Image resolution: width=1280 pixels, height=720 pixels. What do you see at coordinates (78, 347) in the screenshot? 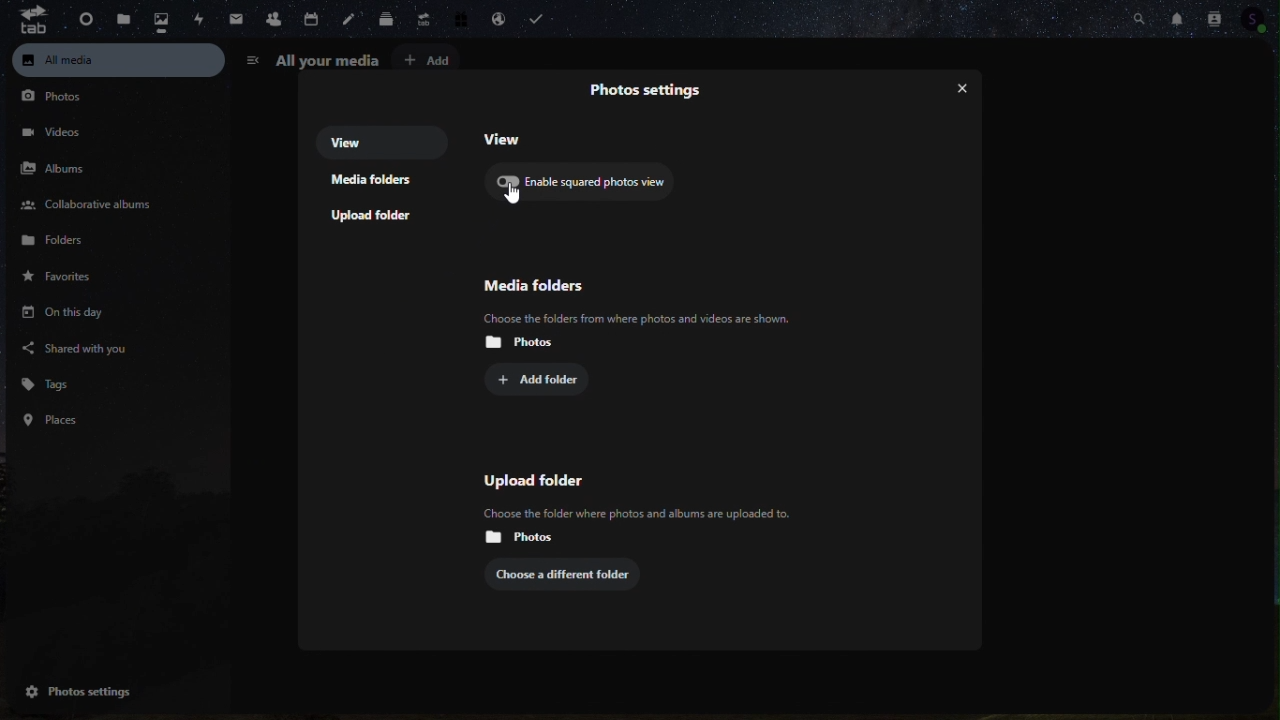
I see `Shared with you` at bounding box center [78, 347].